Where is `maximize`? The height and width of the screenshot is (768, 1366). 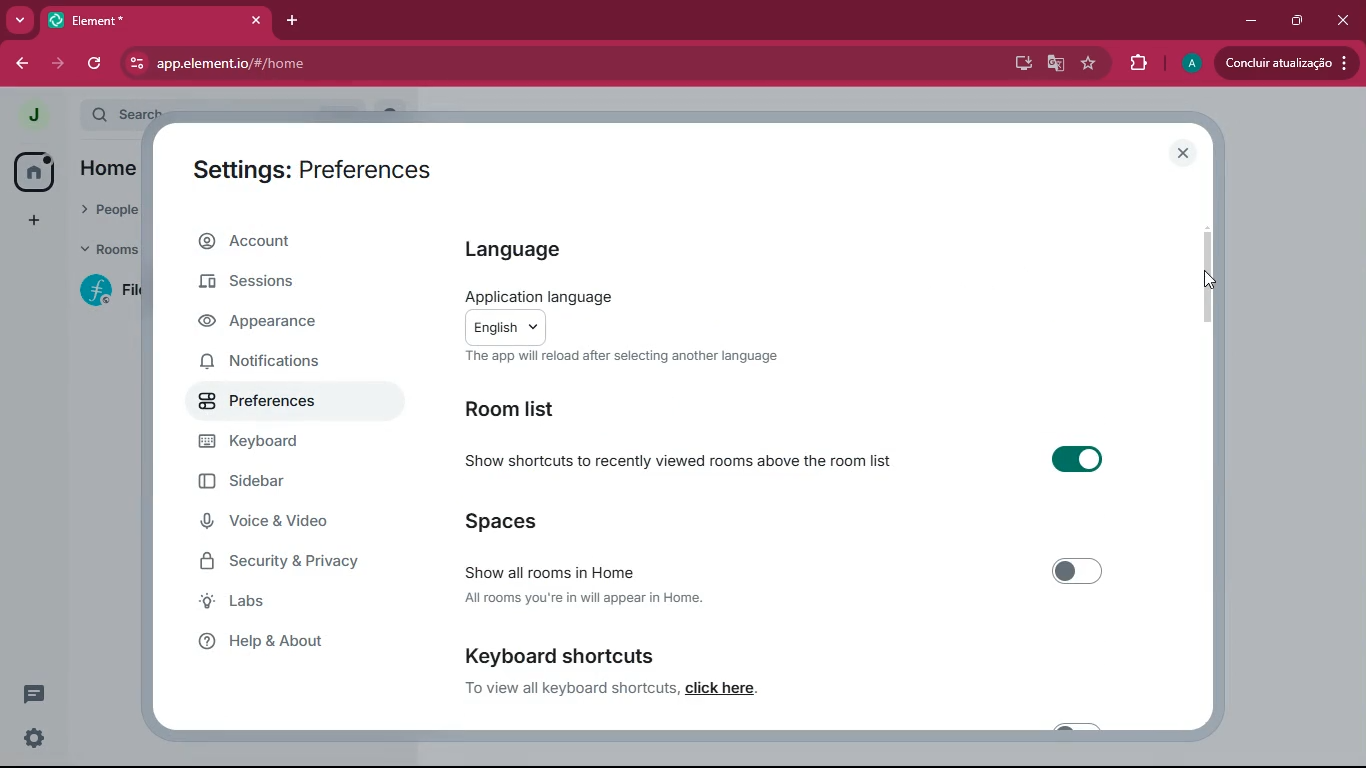
maximize is located at coordinates (1299, 21).